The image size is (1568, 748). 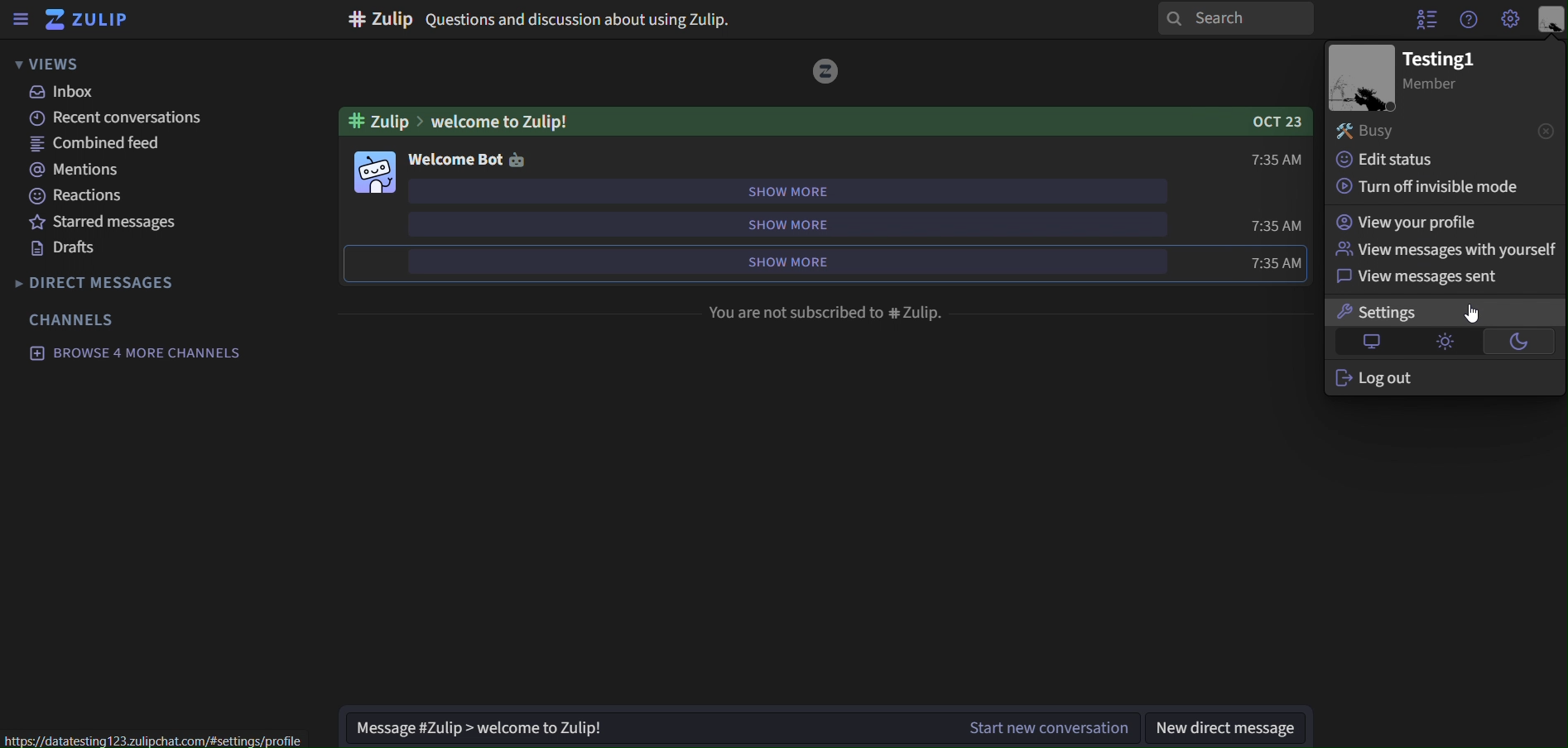 What do you see at coordinates (1426, 19) in the screenshot?
I see `hide user list` at bounding box center [1426, 19].